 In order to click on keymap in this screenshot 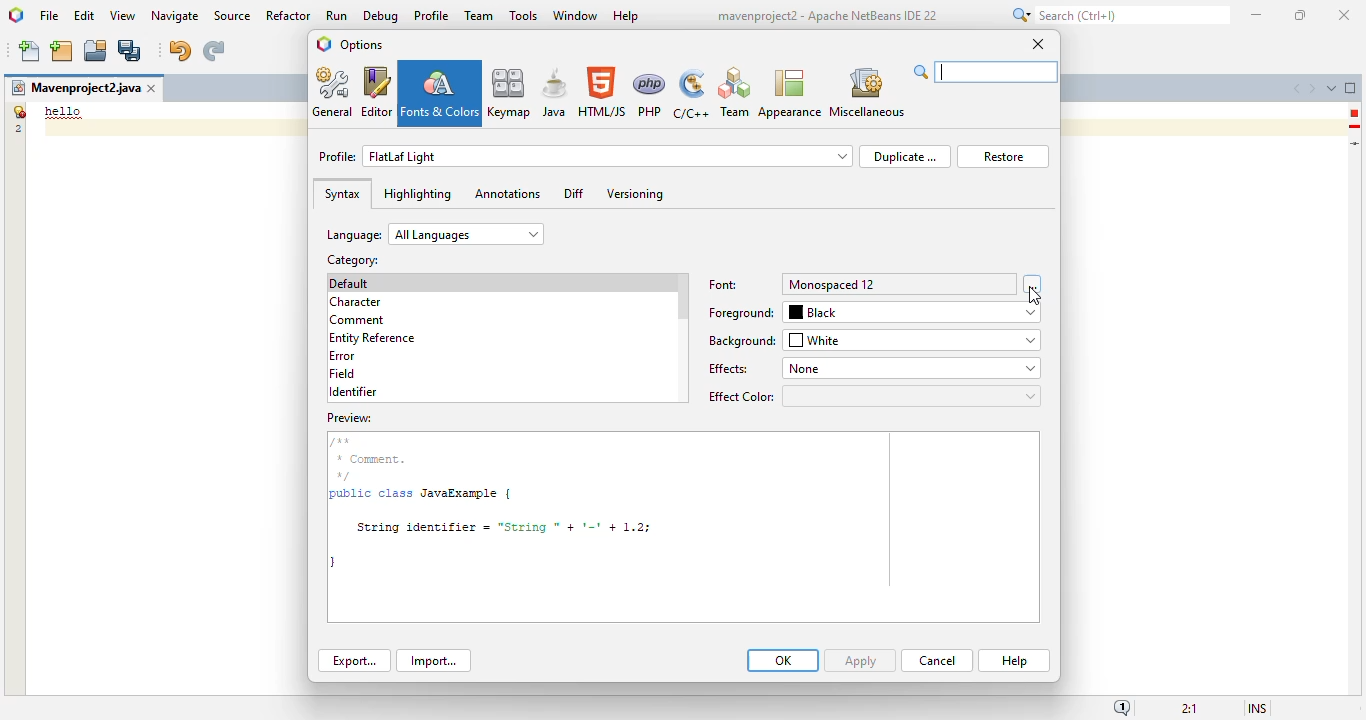, I will do `click(510, 92)`.